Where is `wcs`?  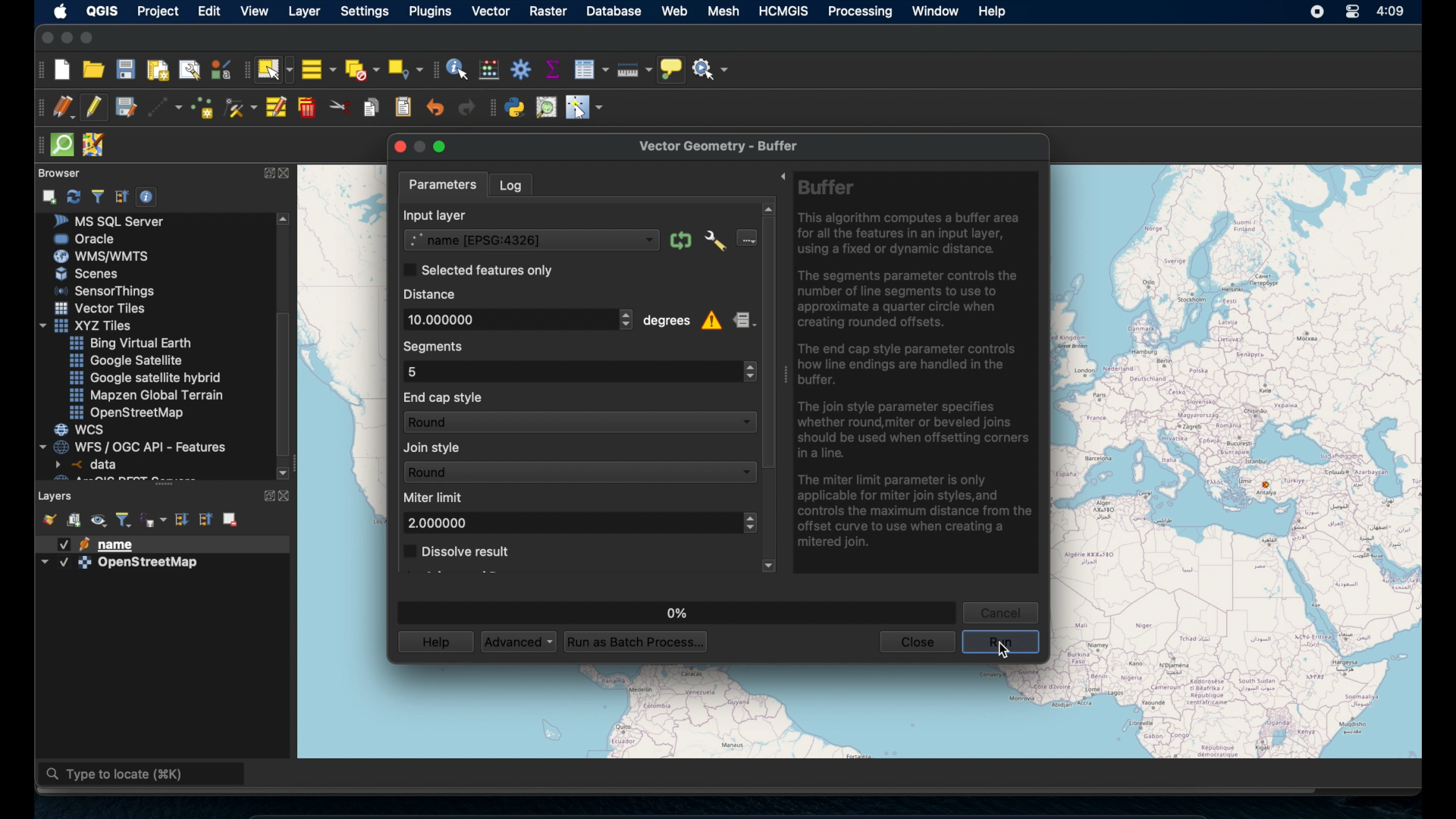
wcs is located at coordinates (81, 430).